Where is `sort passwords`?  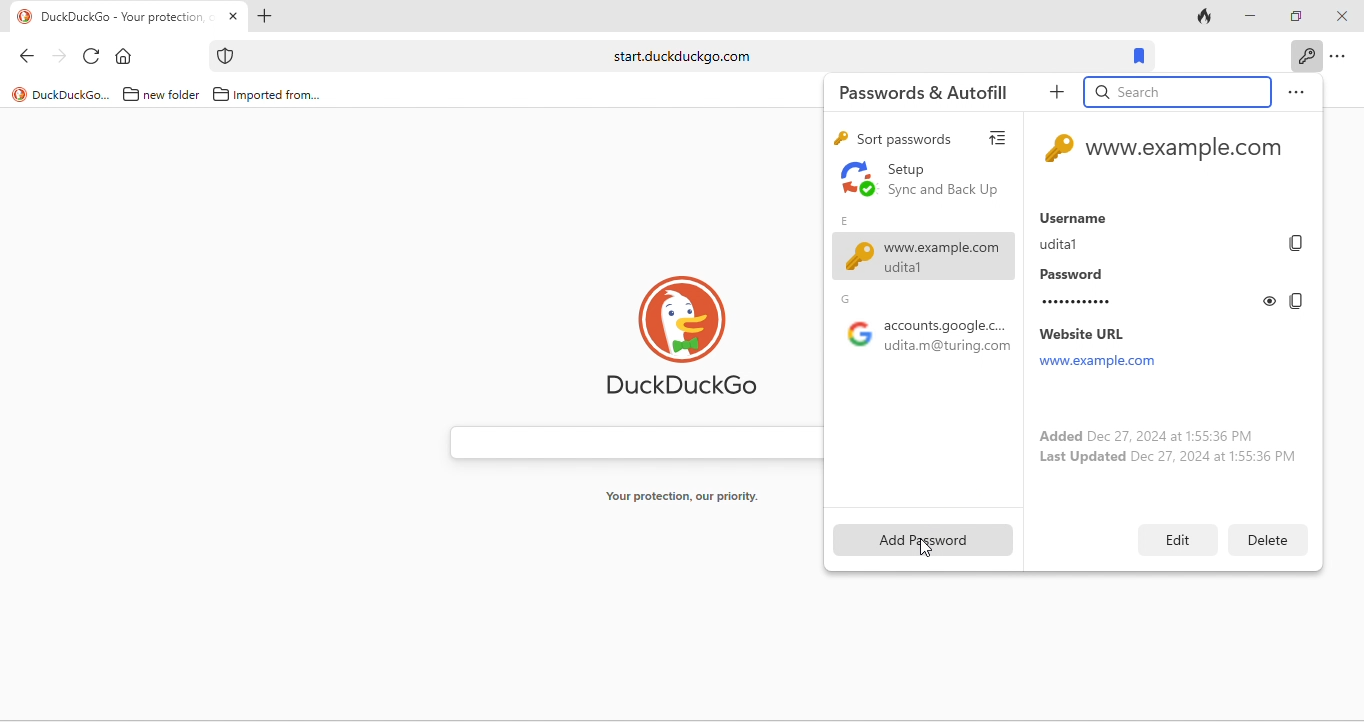 sort passwords is located at coordinates (905, 139).